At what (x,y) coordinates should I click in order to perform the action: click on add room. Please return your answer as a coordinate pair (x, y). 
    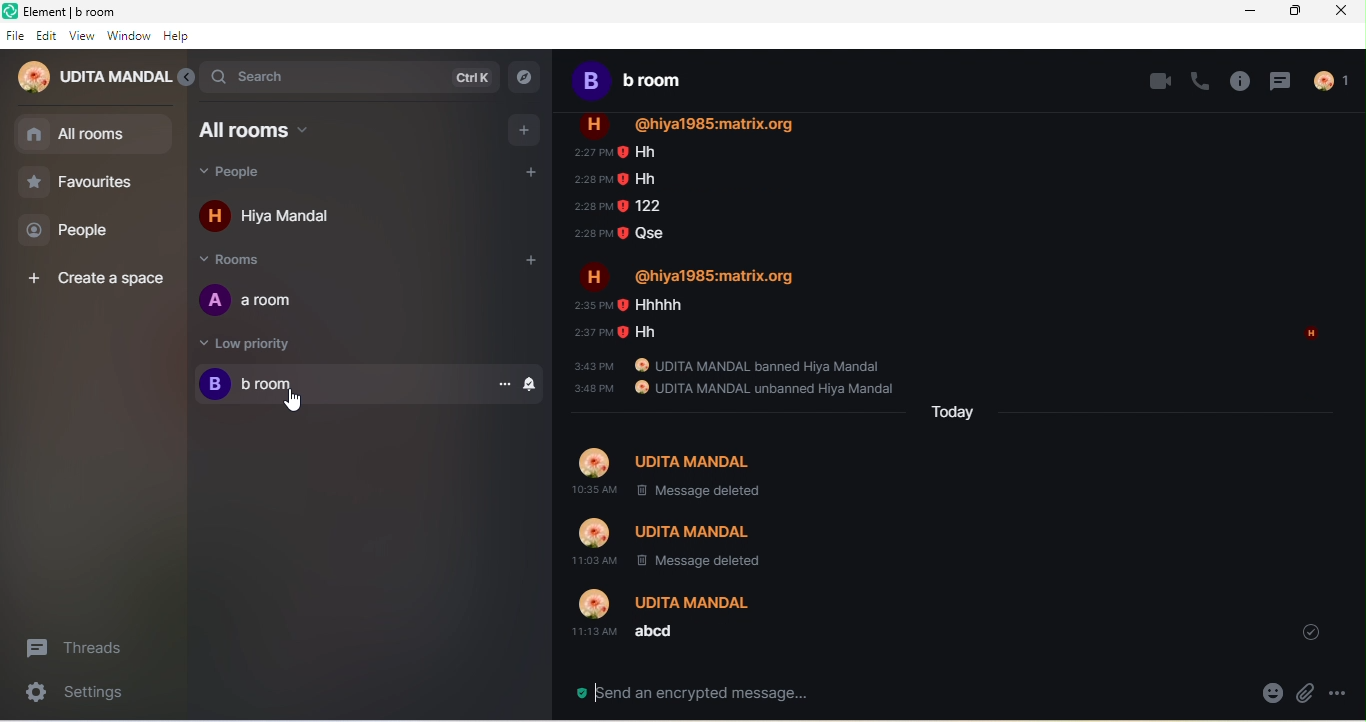
    Looking at the image, I should click on (536, 266).